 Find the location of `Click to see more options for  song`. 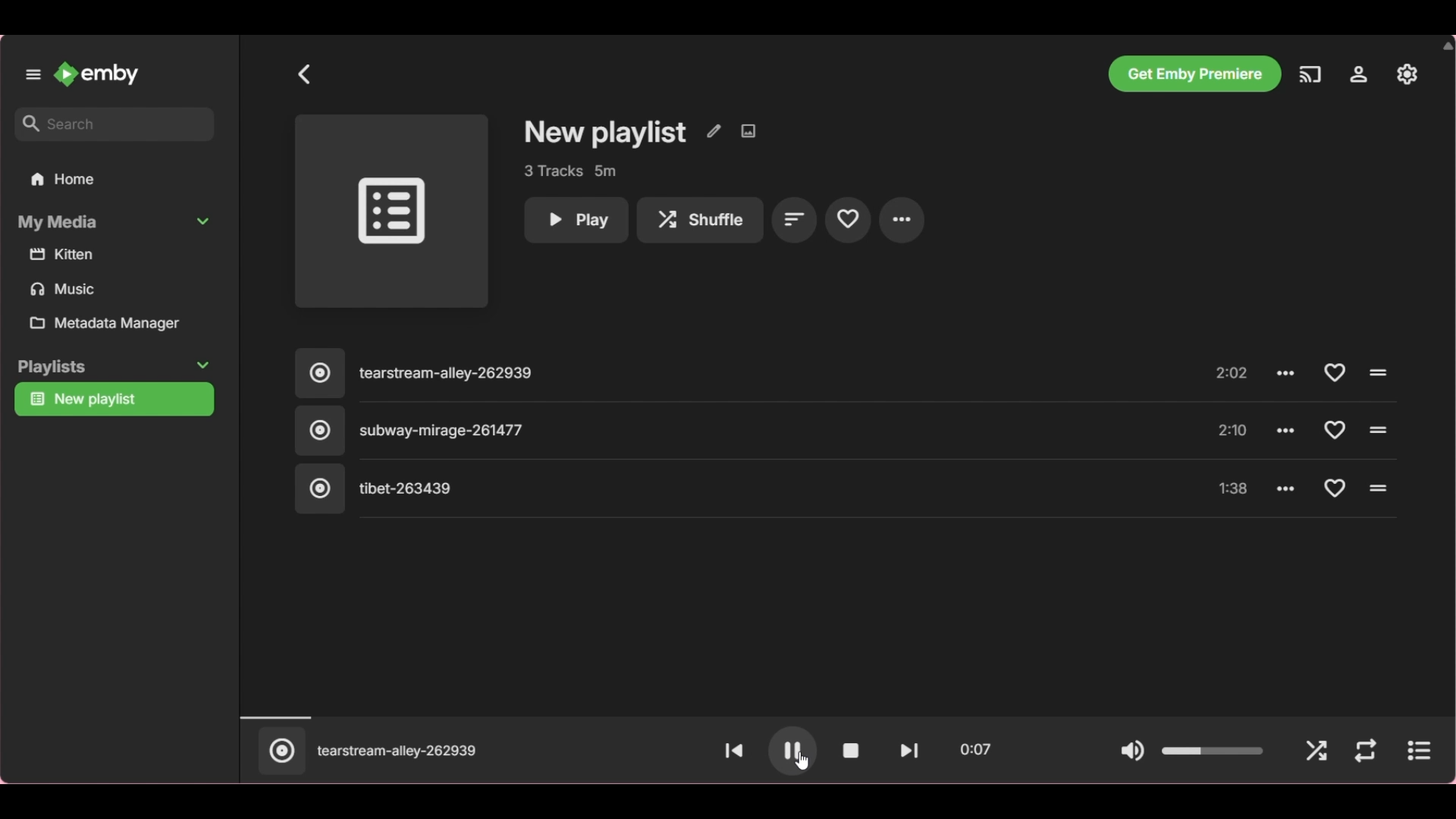

Click to see more options for  song is located at coordinates (1288, 373).